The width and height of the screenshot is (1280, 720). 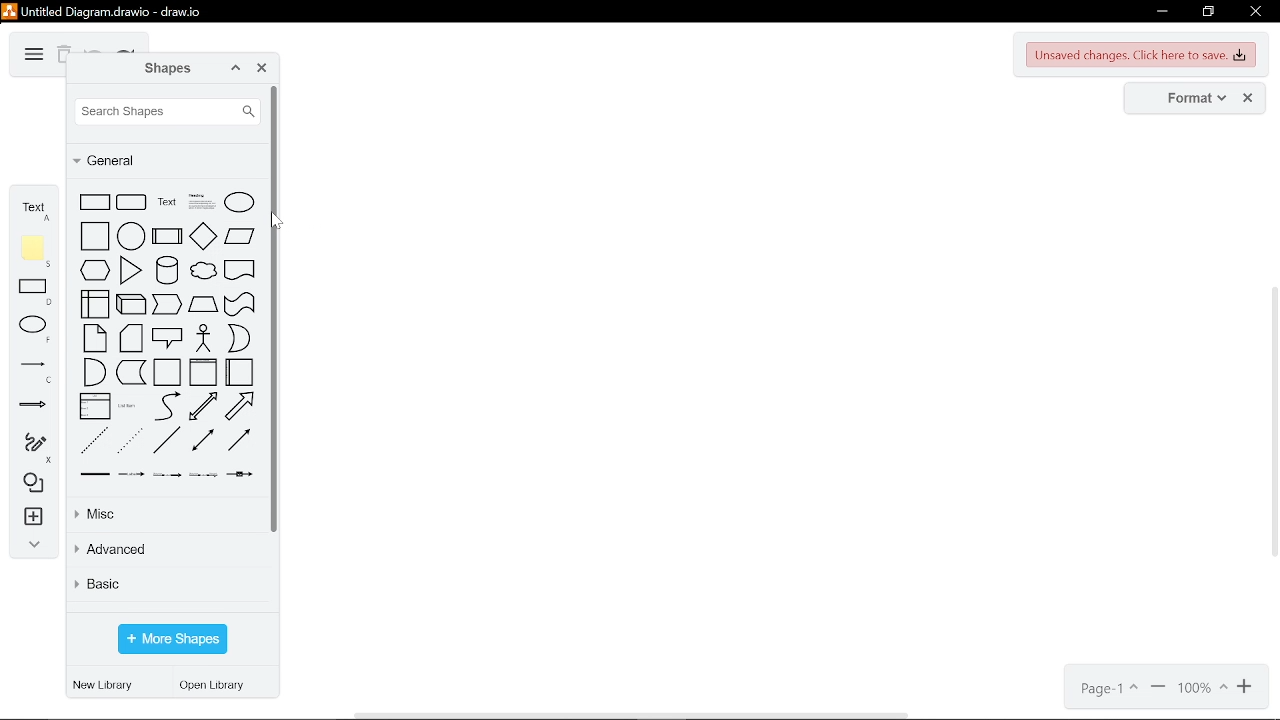 What do you see at coordinates (1247, 688) in the screenshot?
I see `zoom in` at bounding box center [1247, 688].